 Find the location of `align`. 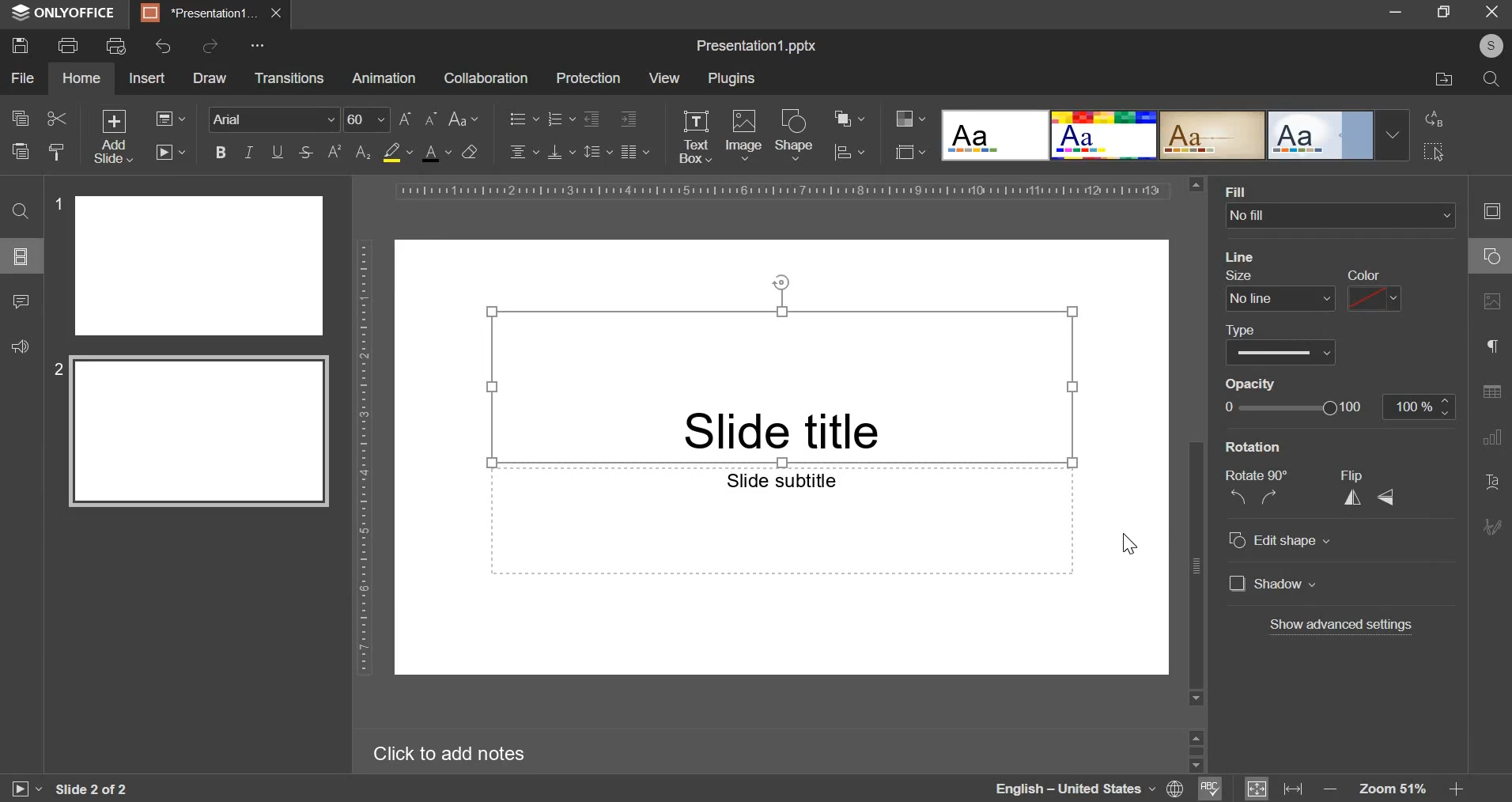

align is located at coordinates (850, 153).